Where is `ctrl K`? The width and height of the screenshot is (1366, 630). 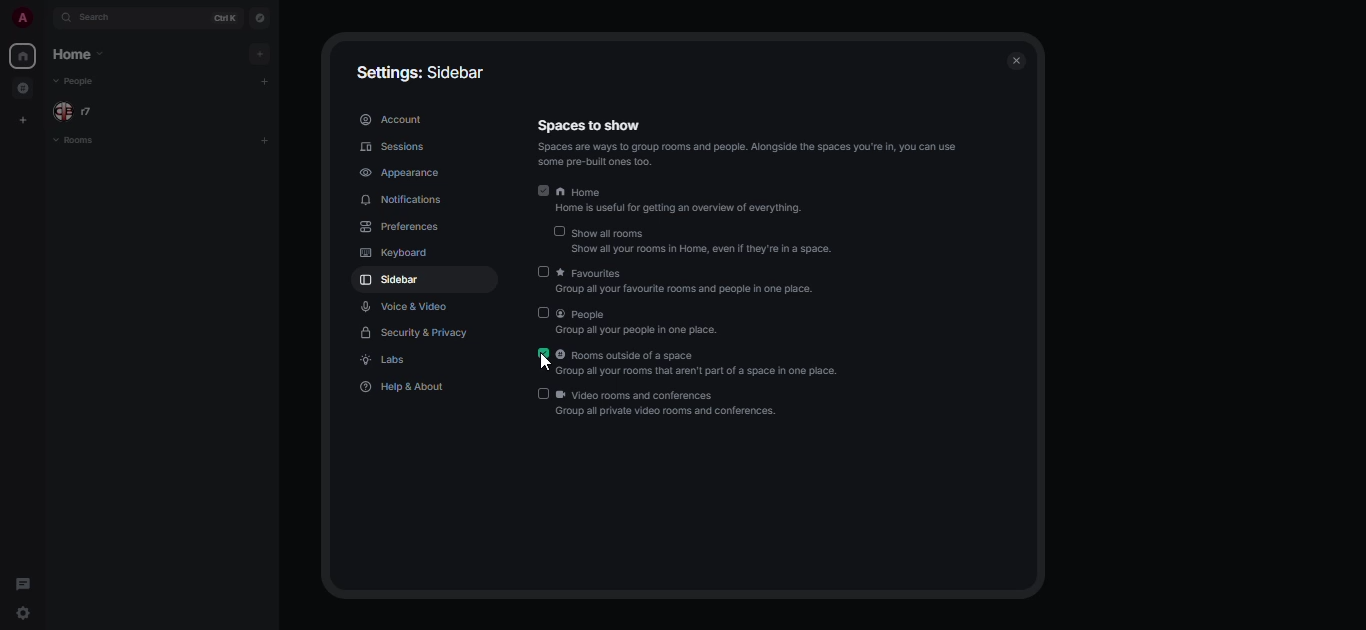 ctrl K is located at coordinates (221, 18).